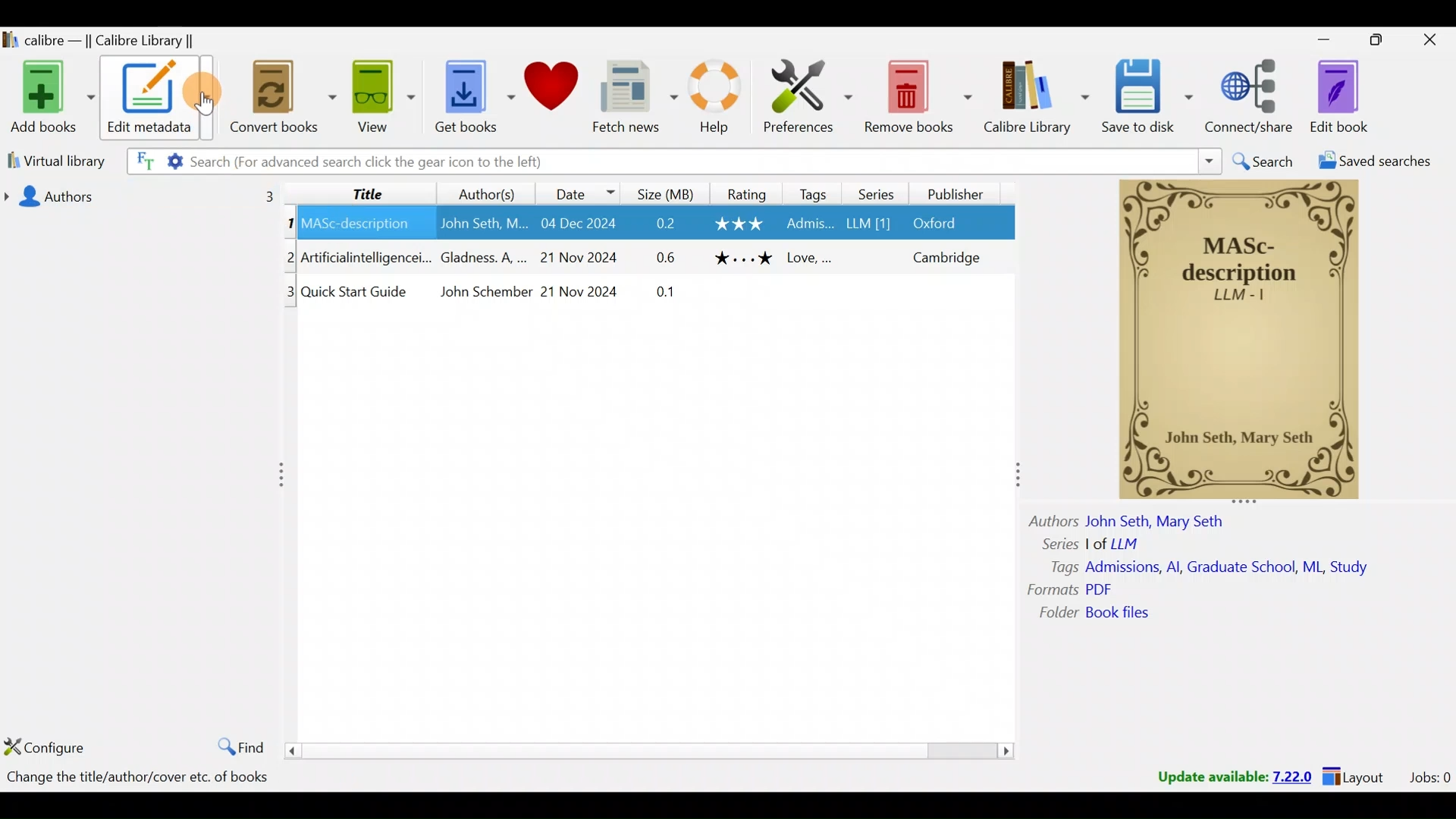 The image size is (1456, 819). I want to click on Convert books, so click(284, 100).